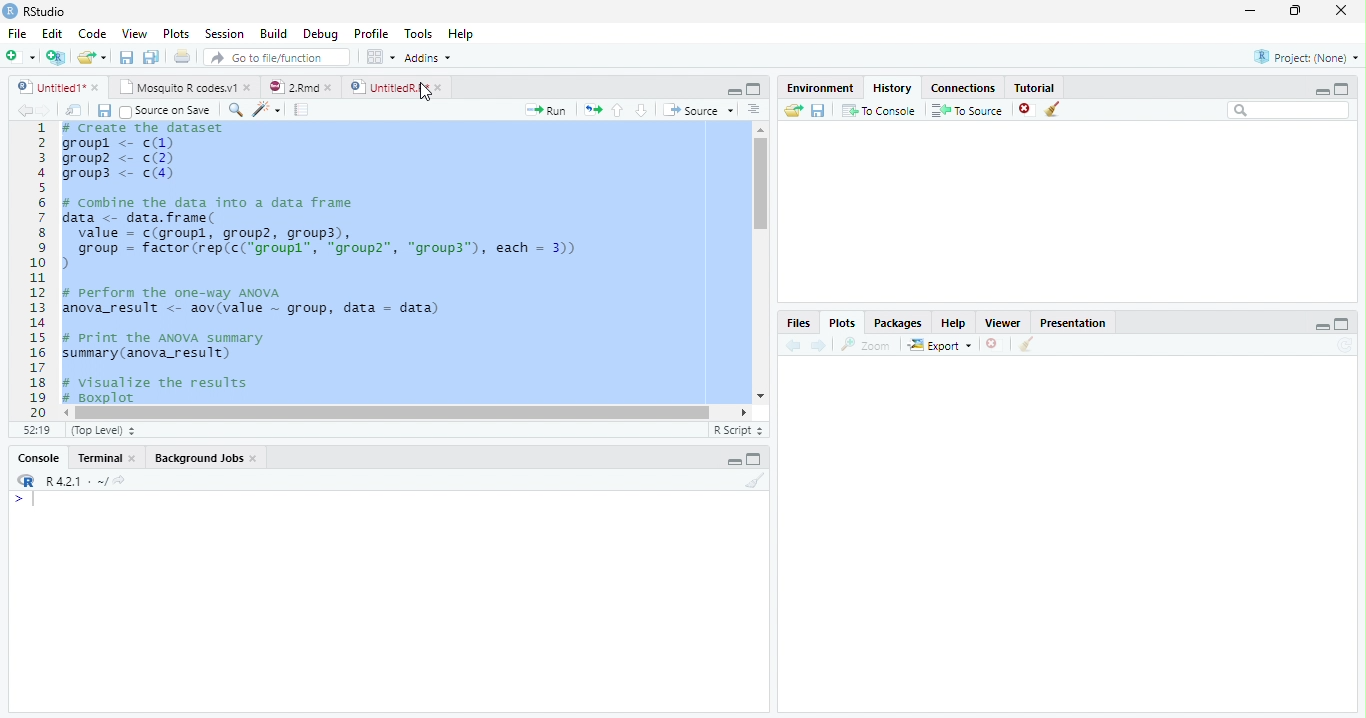 The height and width of the screenshot is (718, 1366). Describe the element at coordinates (970, 112) in the screenshot. I see `To source` at that location.